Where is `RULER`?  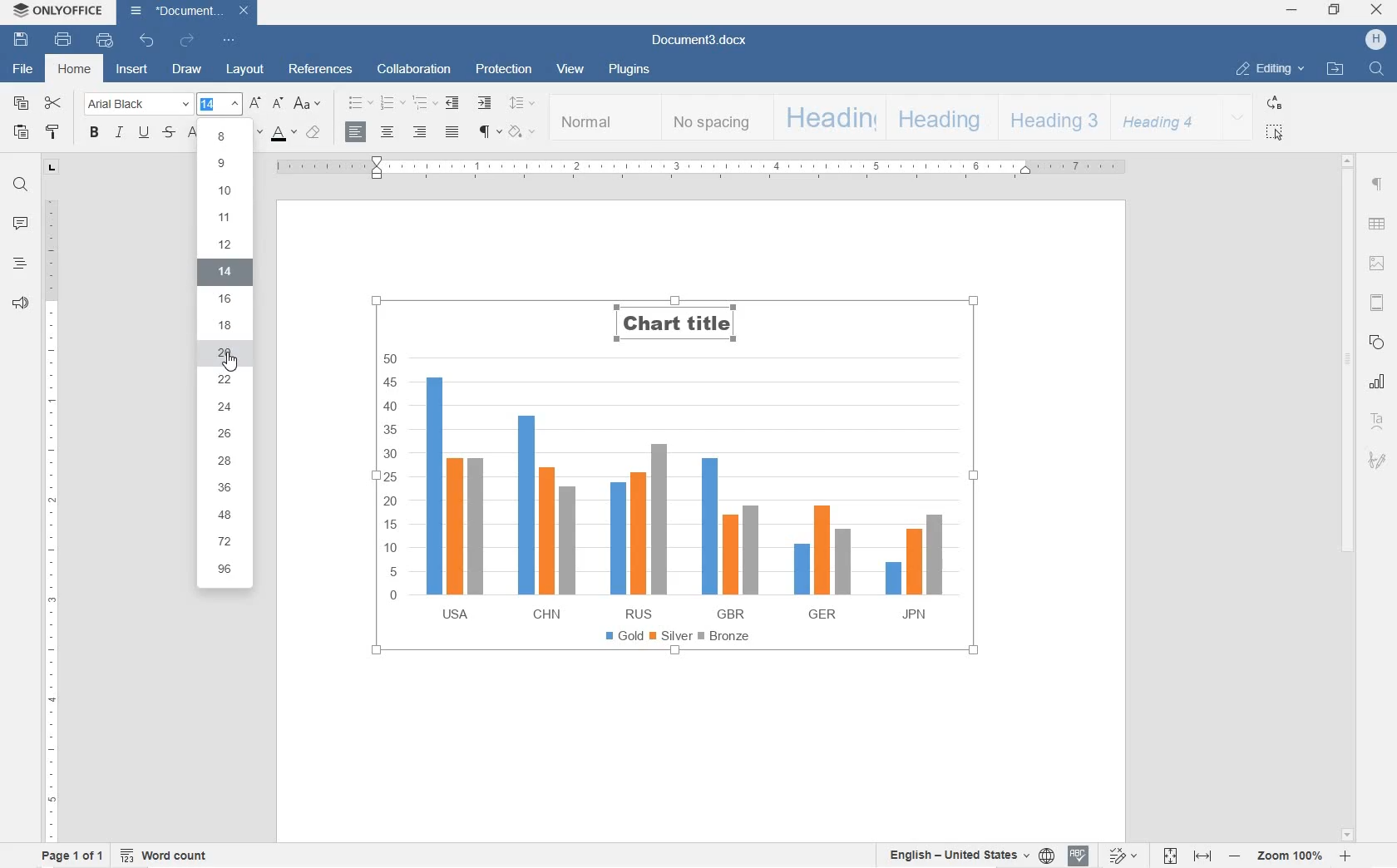 RULER is located at coordinates (51, 517).